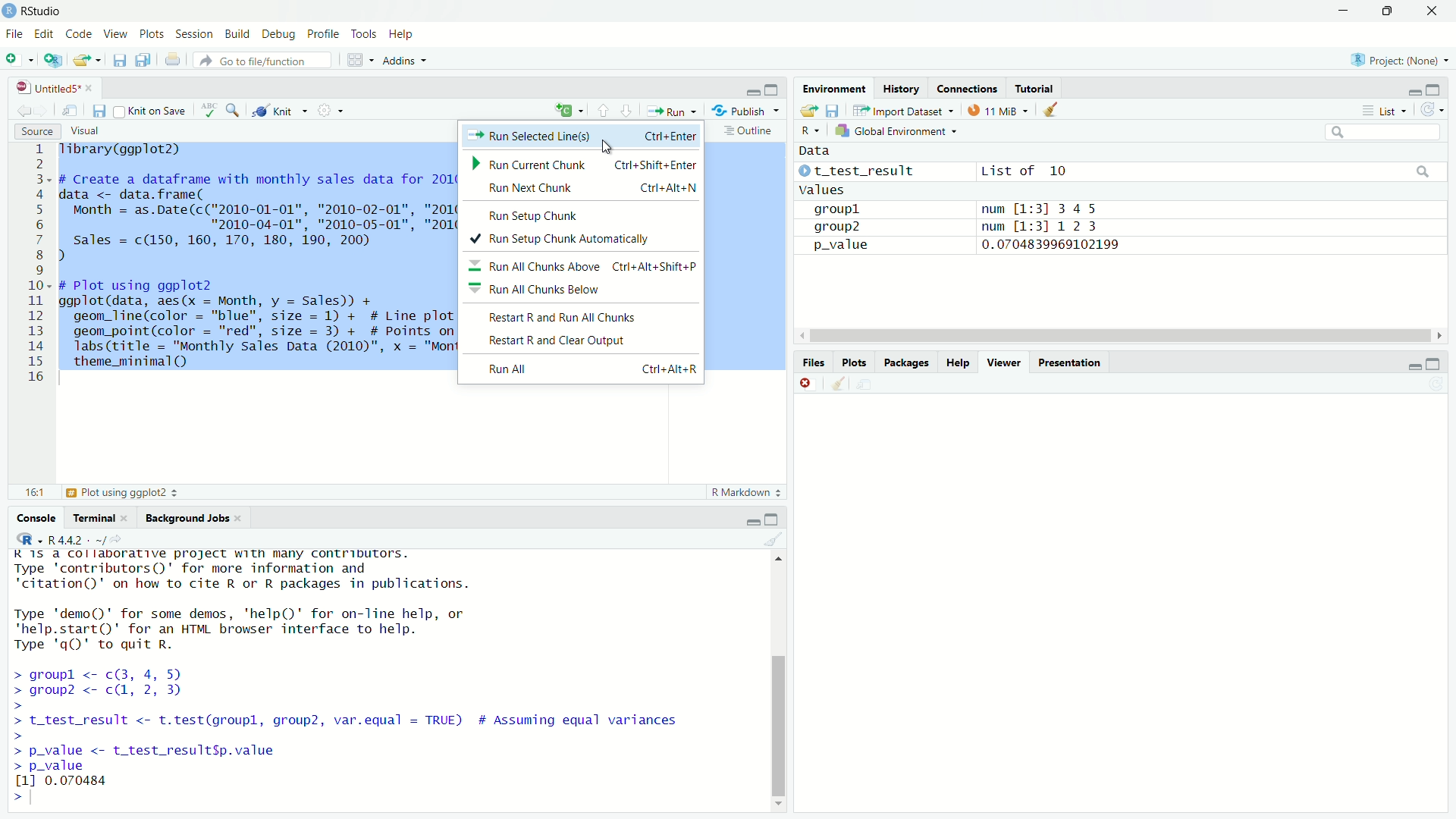 The width and height of the screenshot is (1456, 819). I want to click on scroll bar, so click(775, 679).